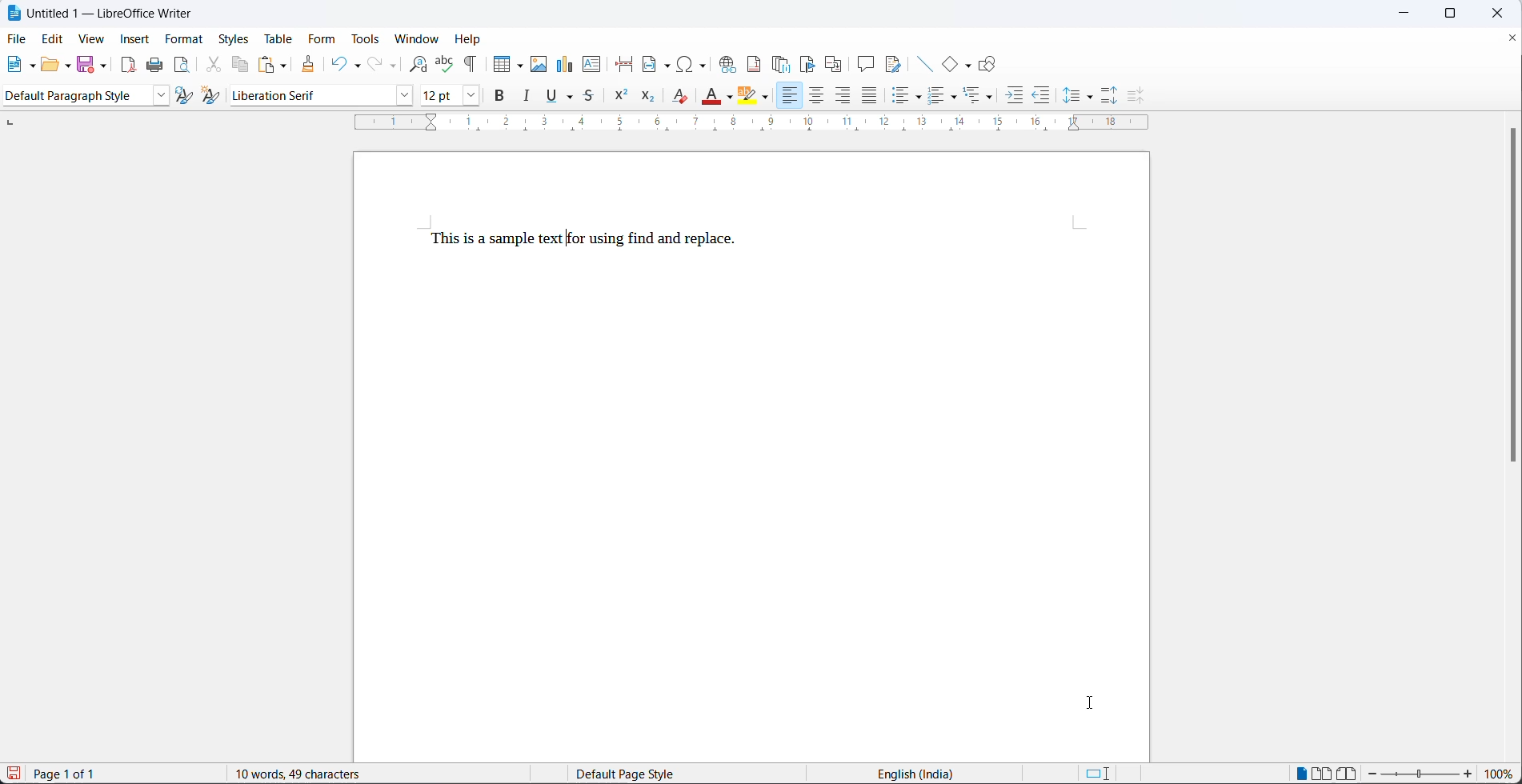 The width and height of the screenshot is (1522, 784). I want to click on cursor, so click(1095, 706).